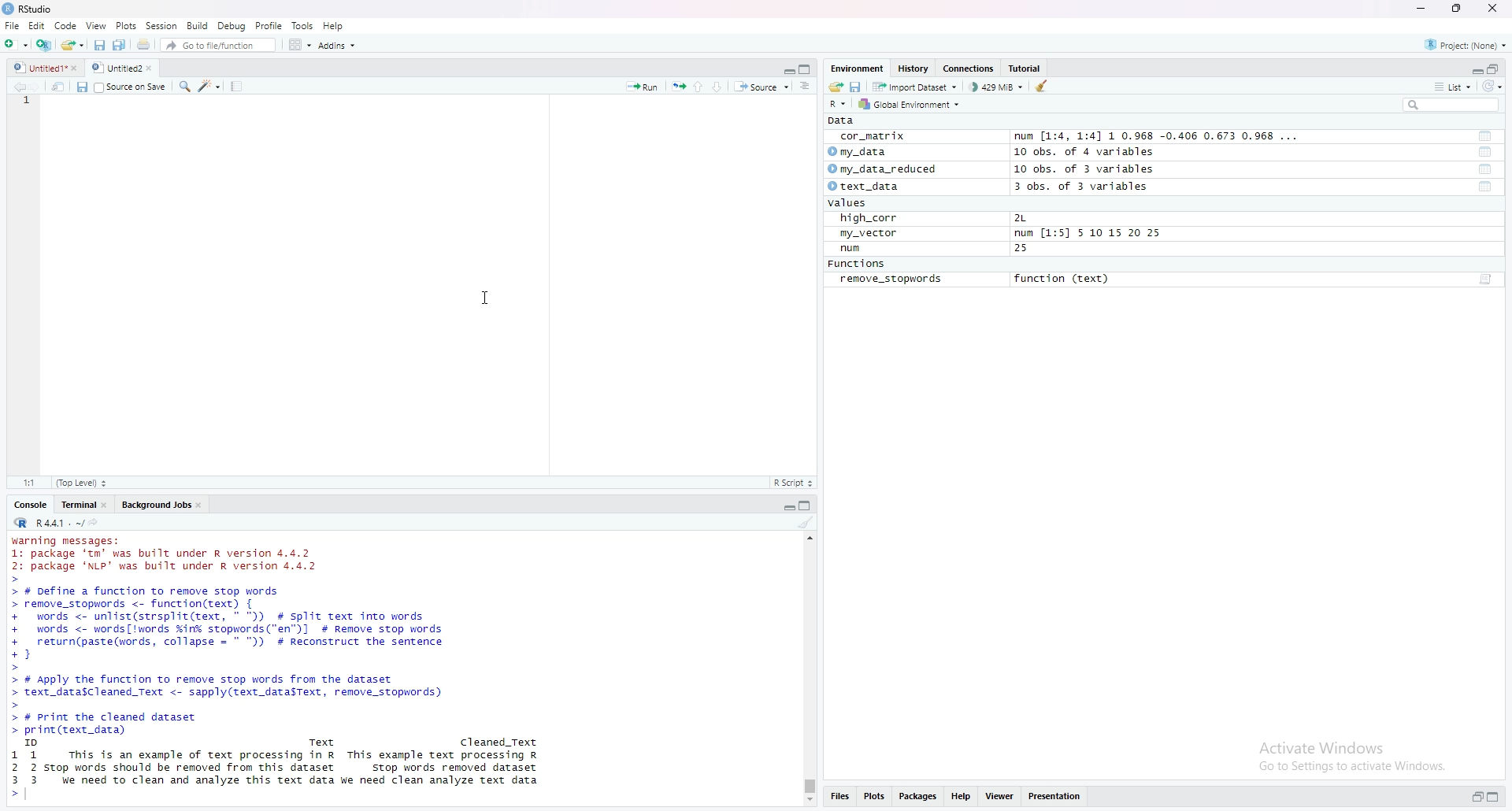 This screenshot has width=1512, height=811. What do you see at coordinates (973, 280) in the screenshot?
I see `remove_stopwords function (text)` at bounding box center [973, 280].